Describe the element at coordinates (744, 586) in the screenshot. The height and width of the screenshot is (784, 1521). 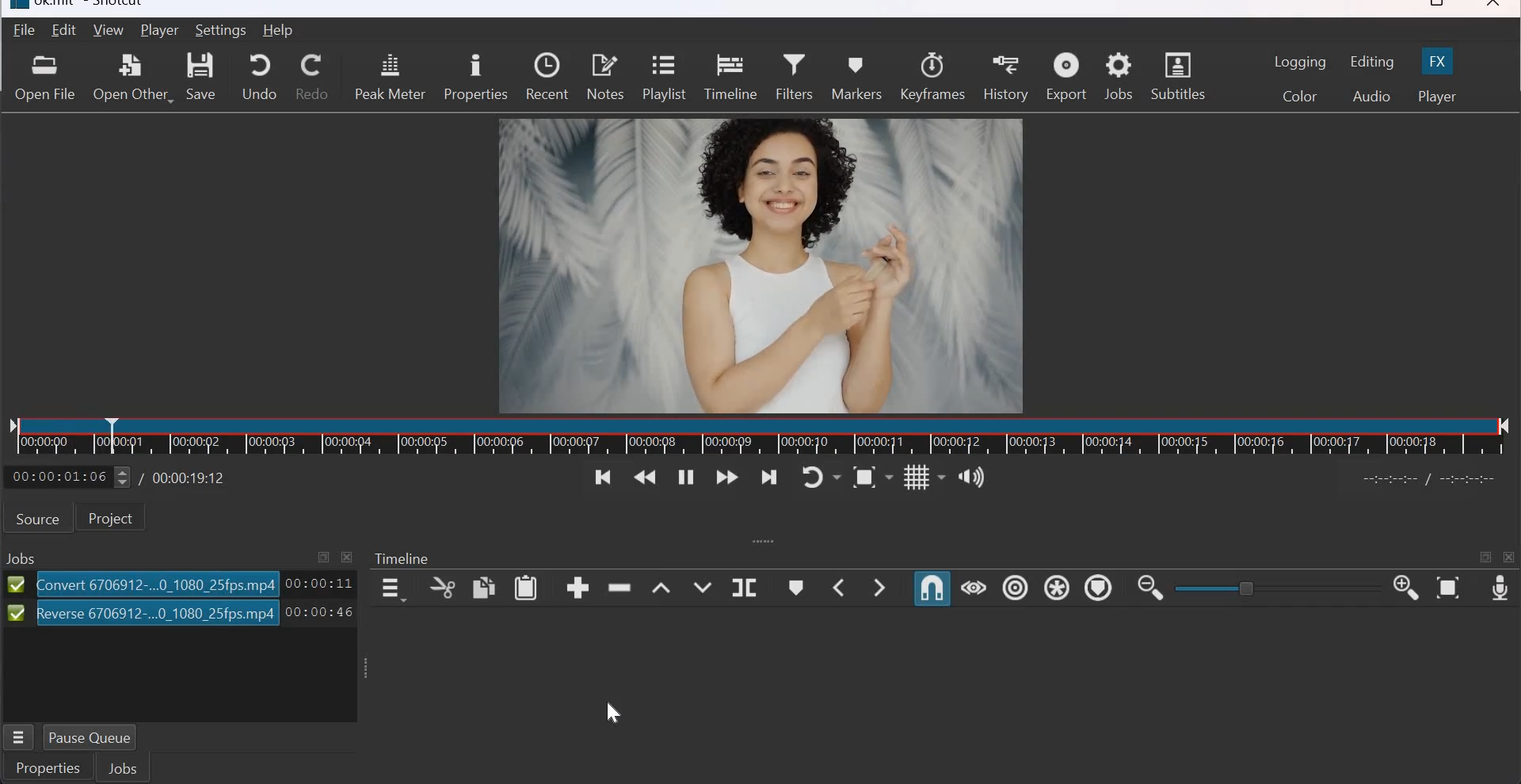
I see `Split at playhead` at that location.